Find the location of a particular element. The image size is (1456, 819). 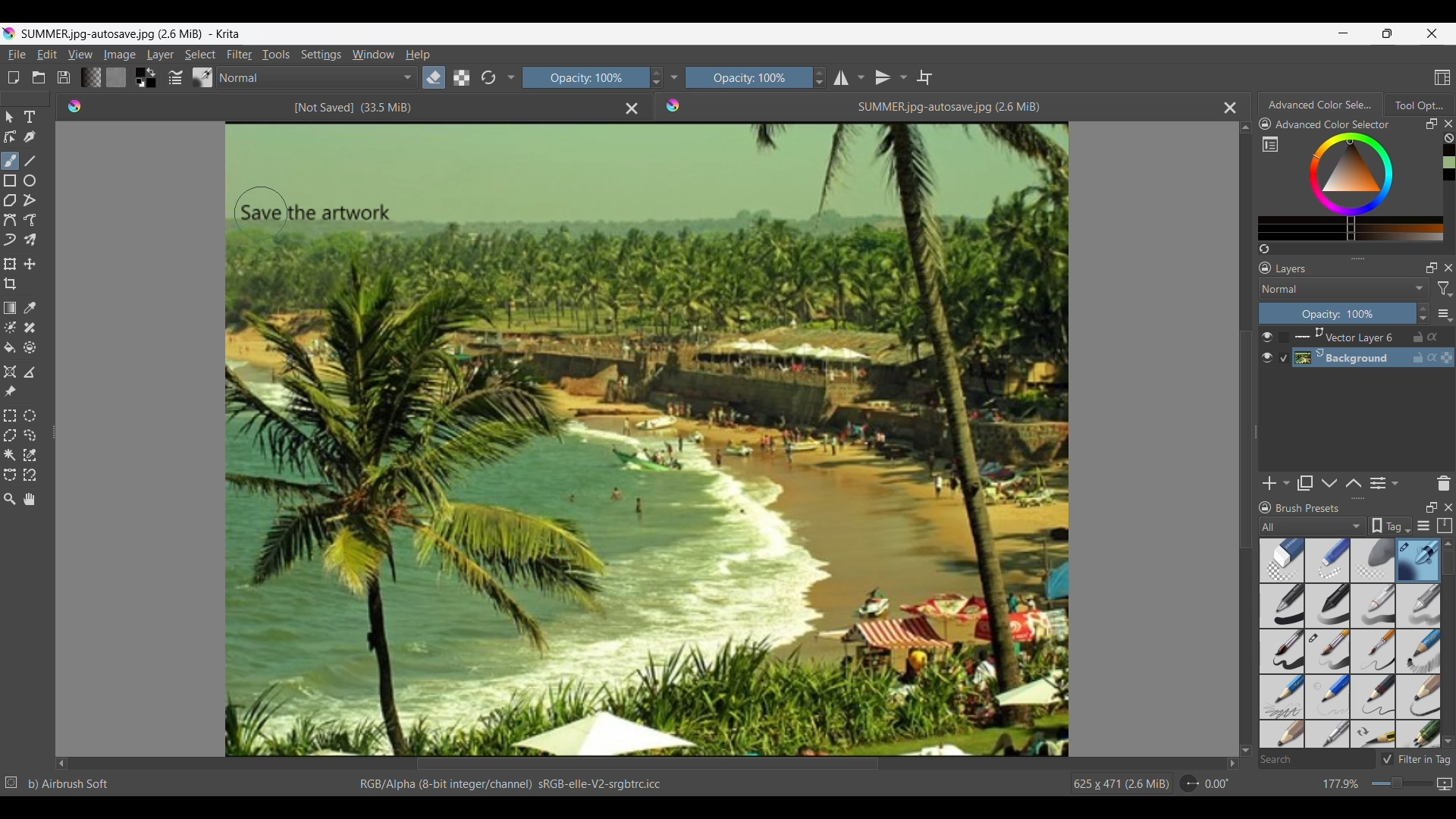

Quick slide to top is located at coordinates (1246, 128).